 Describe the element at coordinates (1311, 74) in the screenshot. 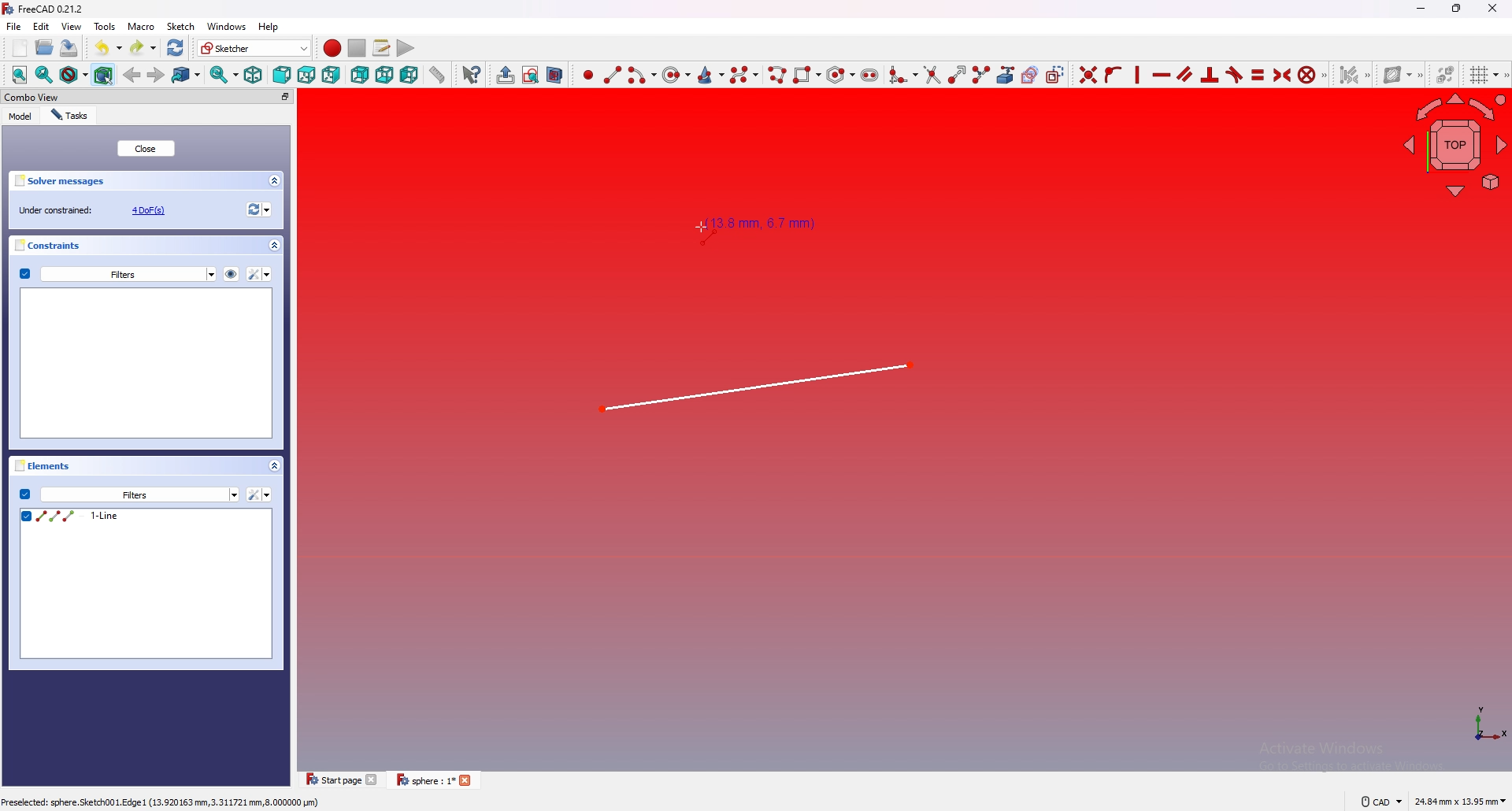

I see `Constrain block` at that location.